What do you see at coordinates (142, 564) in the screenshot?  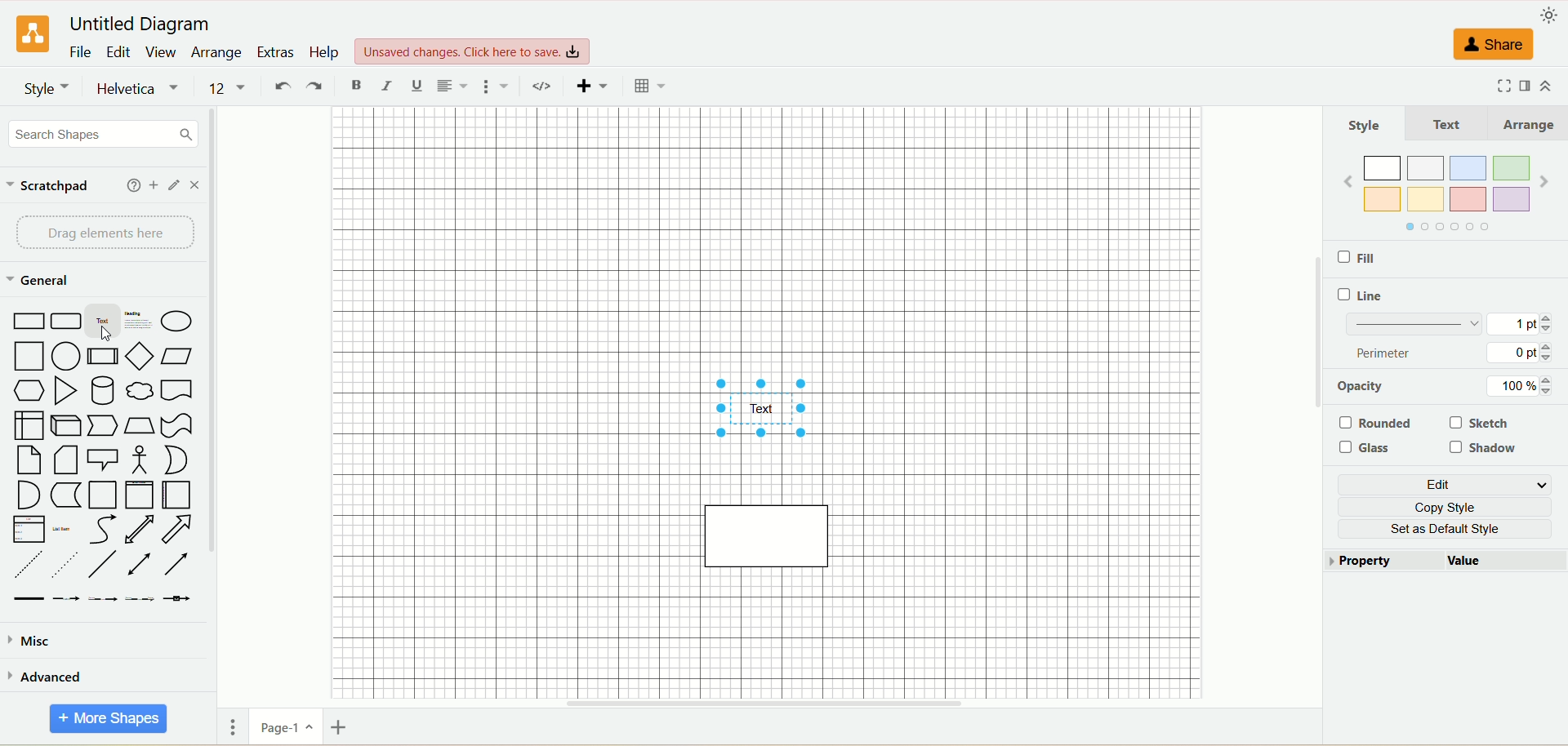 I see `bidirectional connector` at bounding box center [142, 564].